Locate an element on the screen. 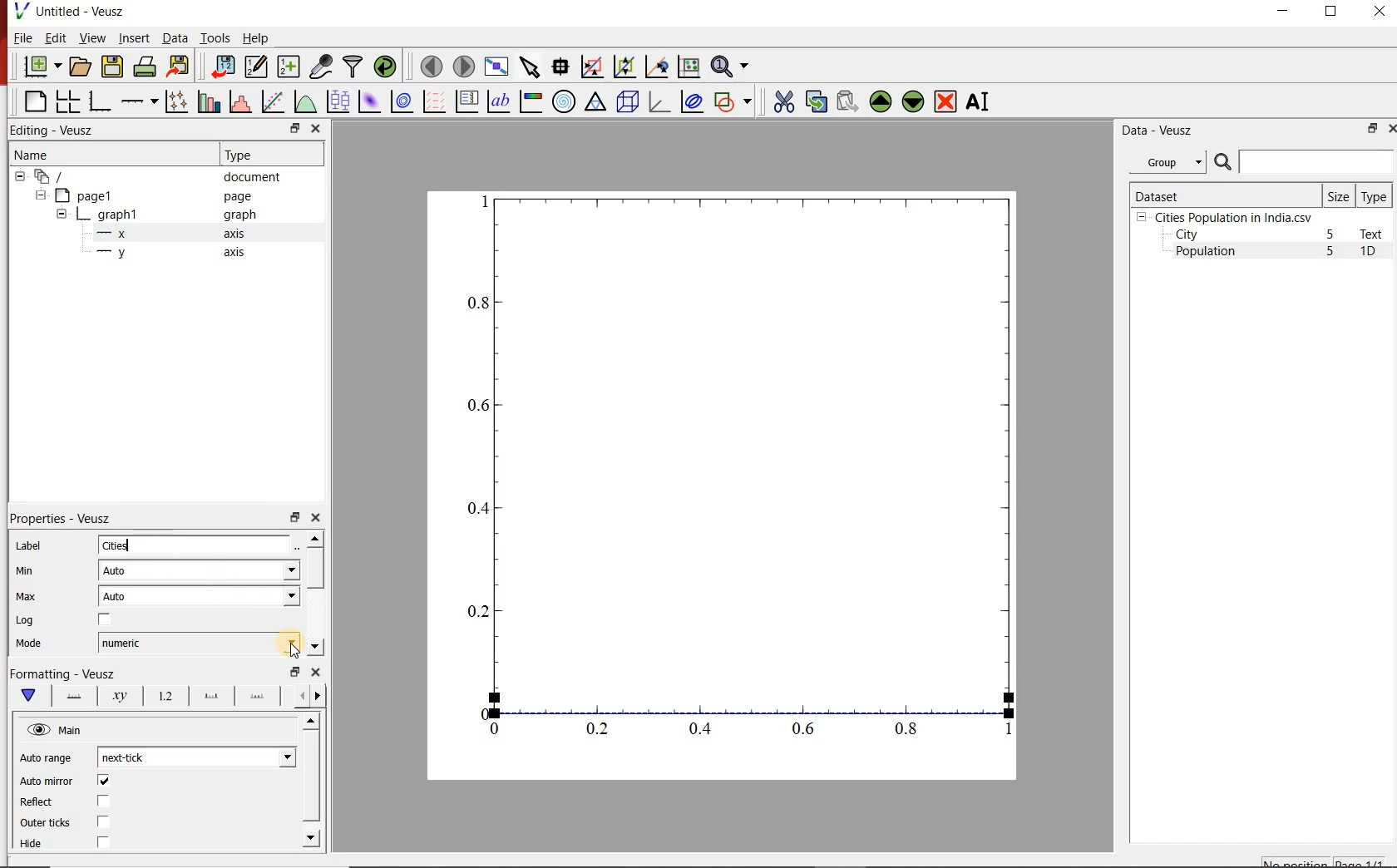  Min is located at coordinates (25, 571).